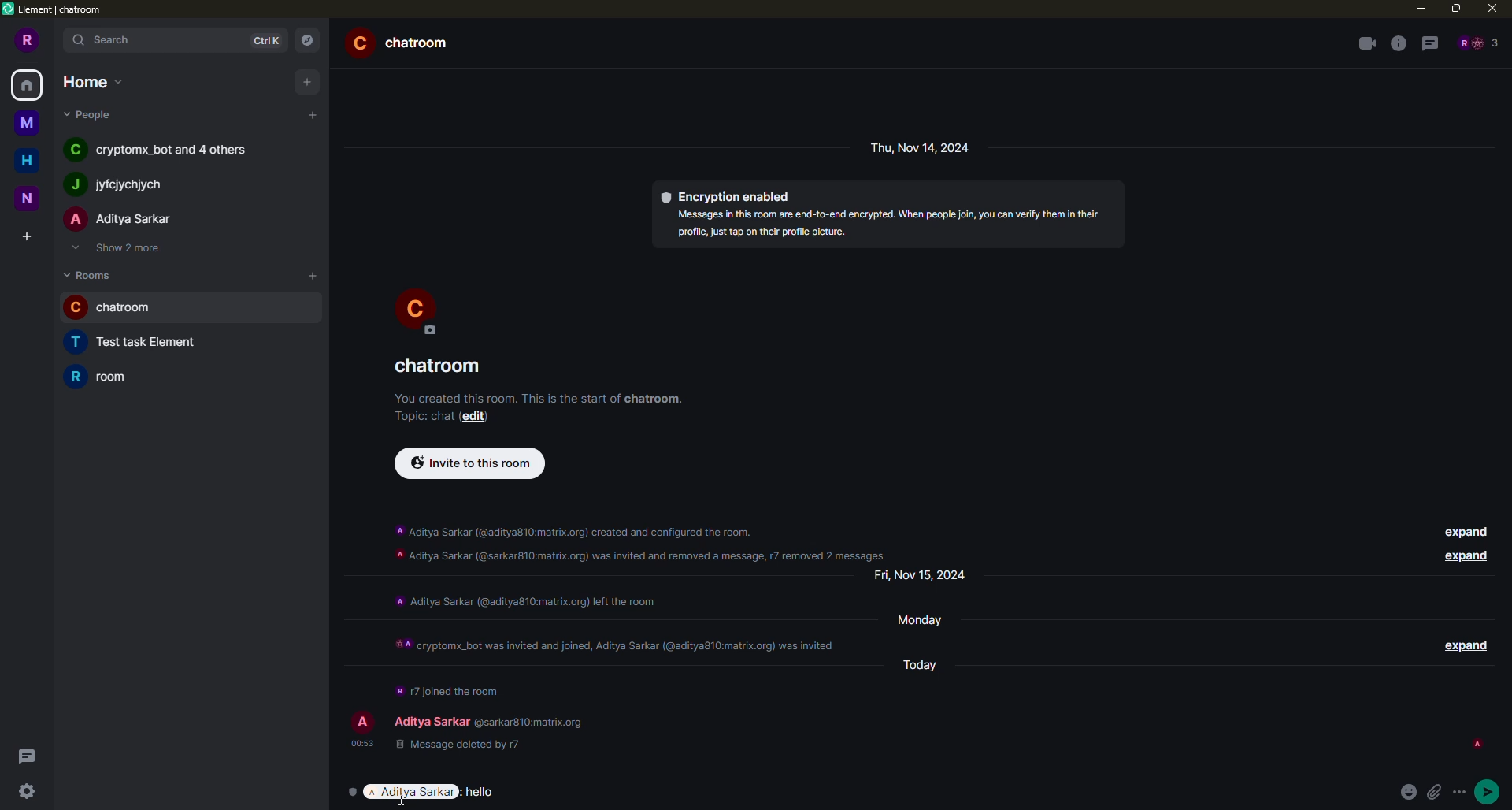 The image size is (1512, 810). What do you see at coordinates (888, 223) in the screenshot?
I see `info` at bounding box center [888, 223].